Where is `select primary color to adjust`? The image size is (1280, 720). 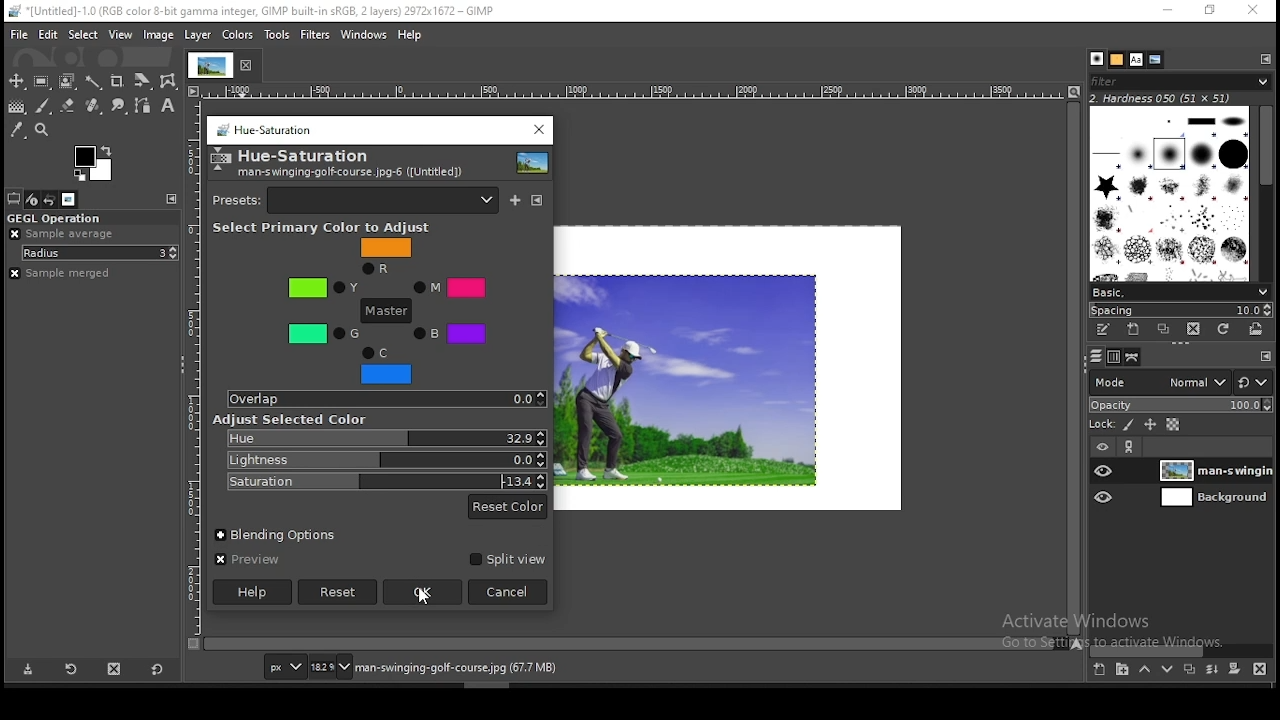
select primary color to adjust is located at coordinates (331, 227).